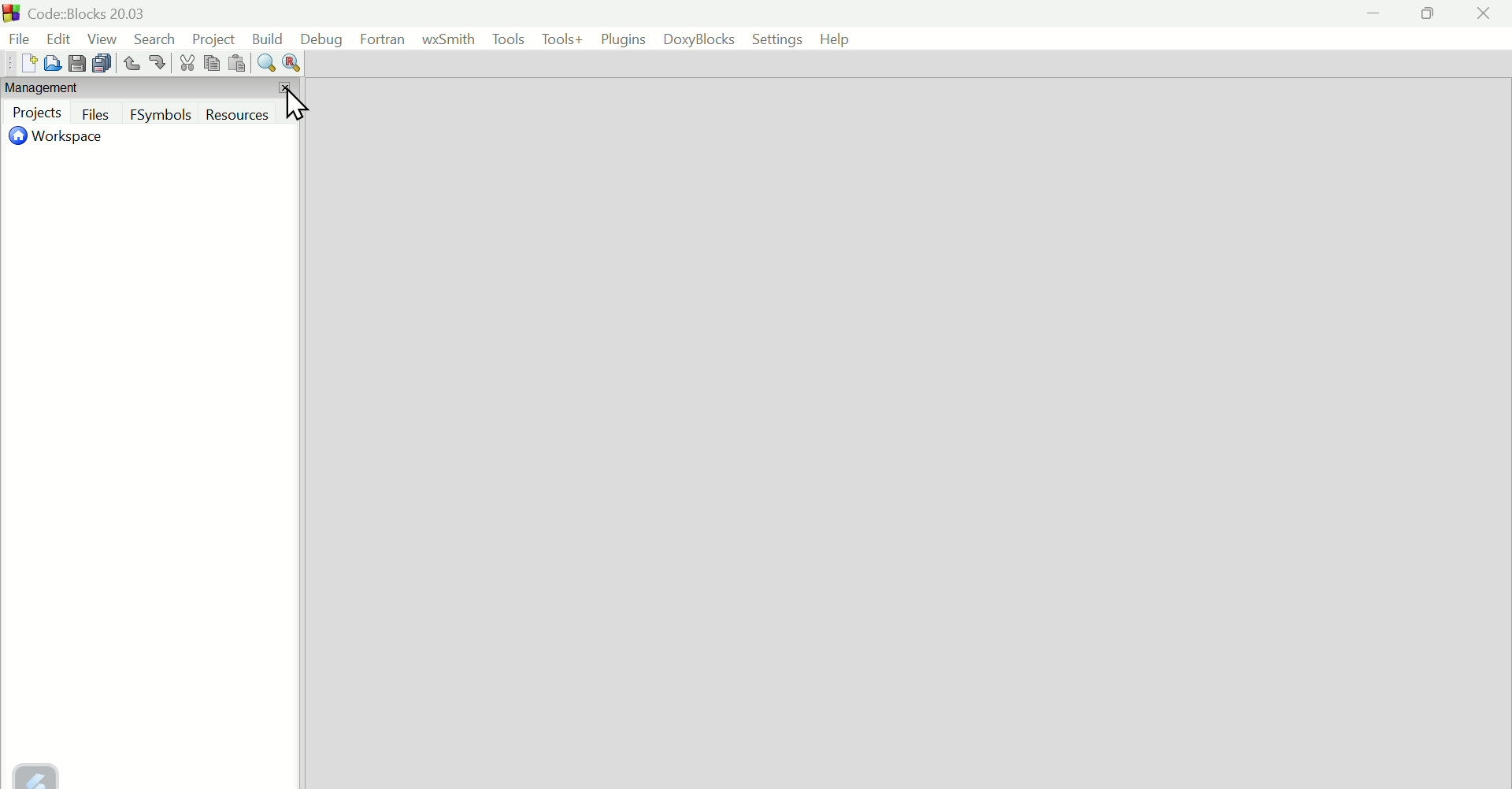 This screenshot has width=1512, height=789. I want to click on Create new file, so click(29, 63).